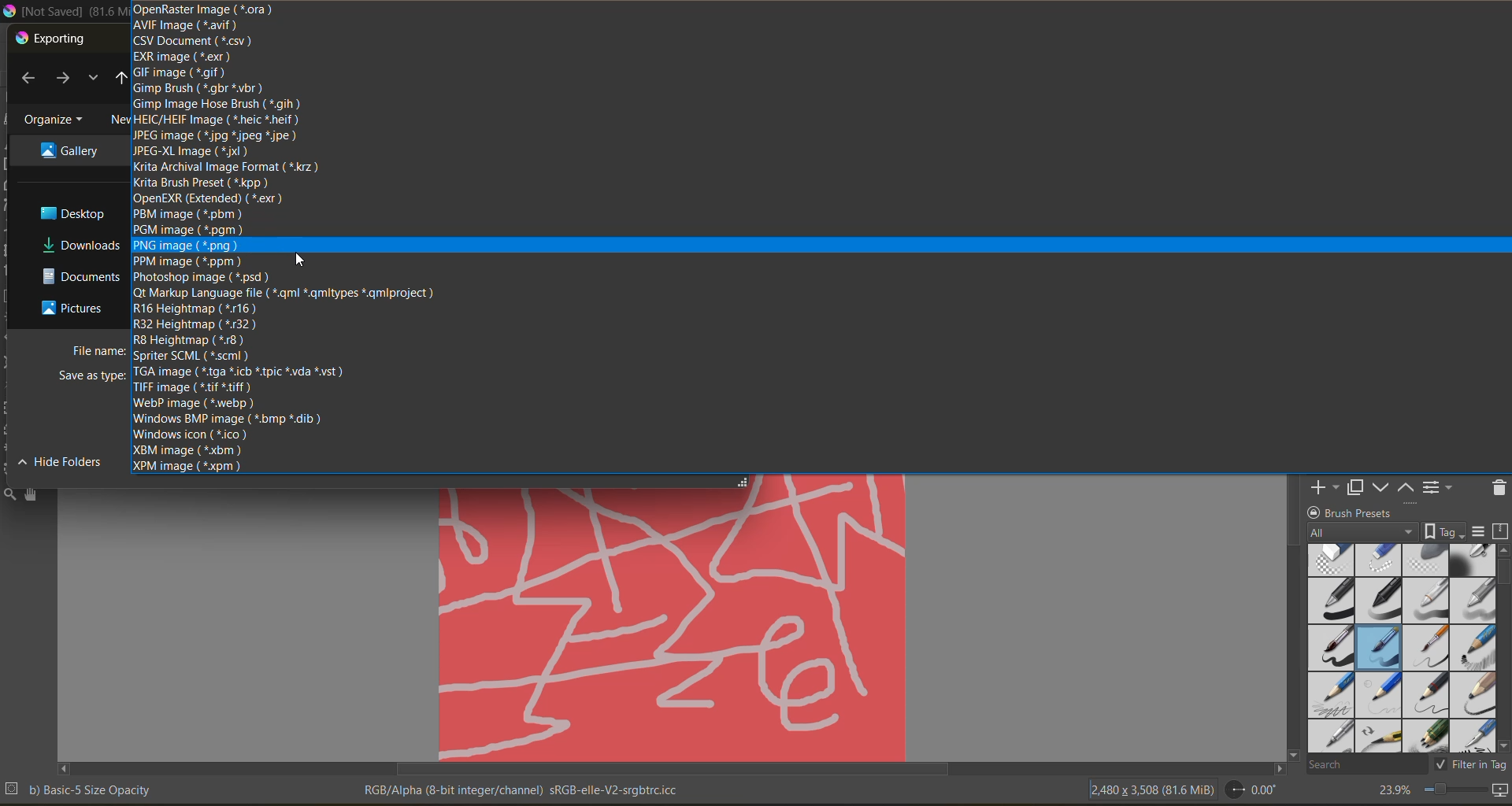 The width and height of the screenshot is (1512, 806). I want to click on r8 heightmap, so click(191, 339).